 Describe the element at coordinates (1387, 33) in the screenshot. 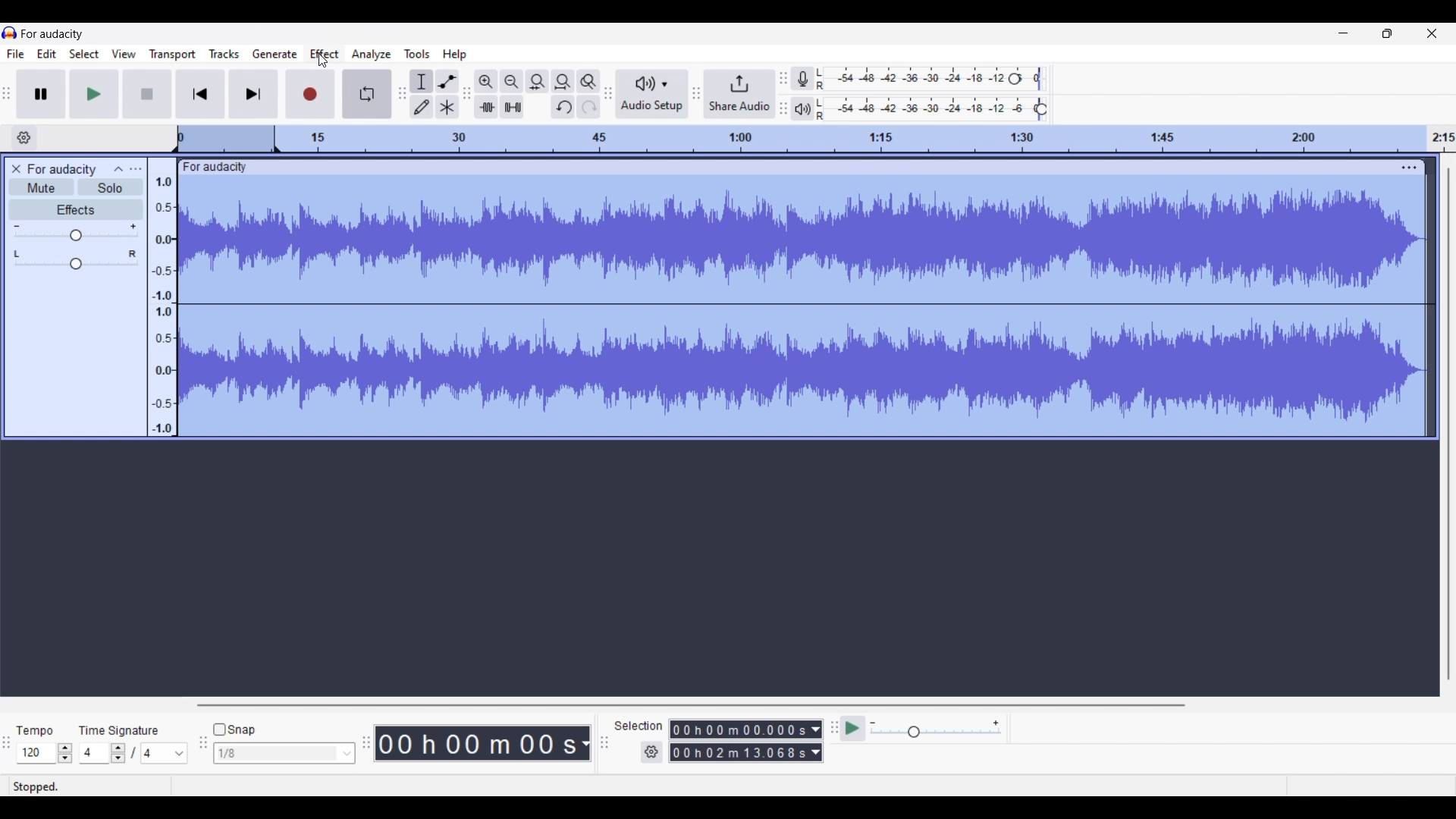

I see `Show interface in a smaller tab` at that location.